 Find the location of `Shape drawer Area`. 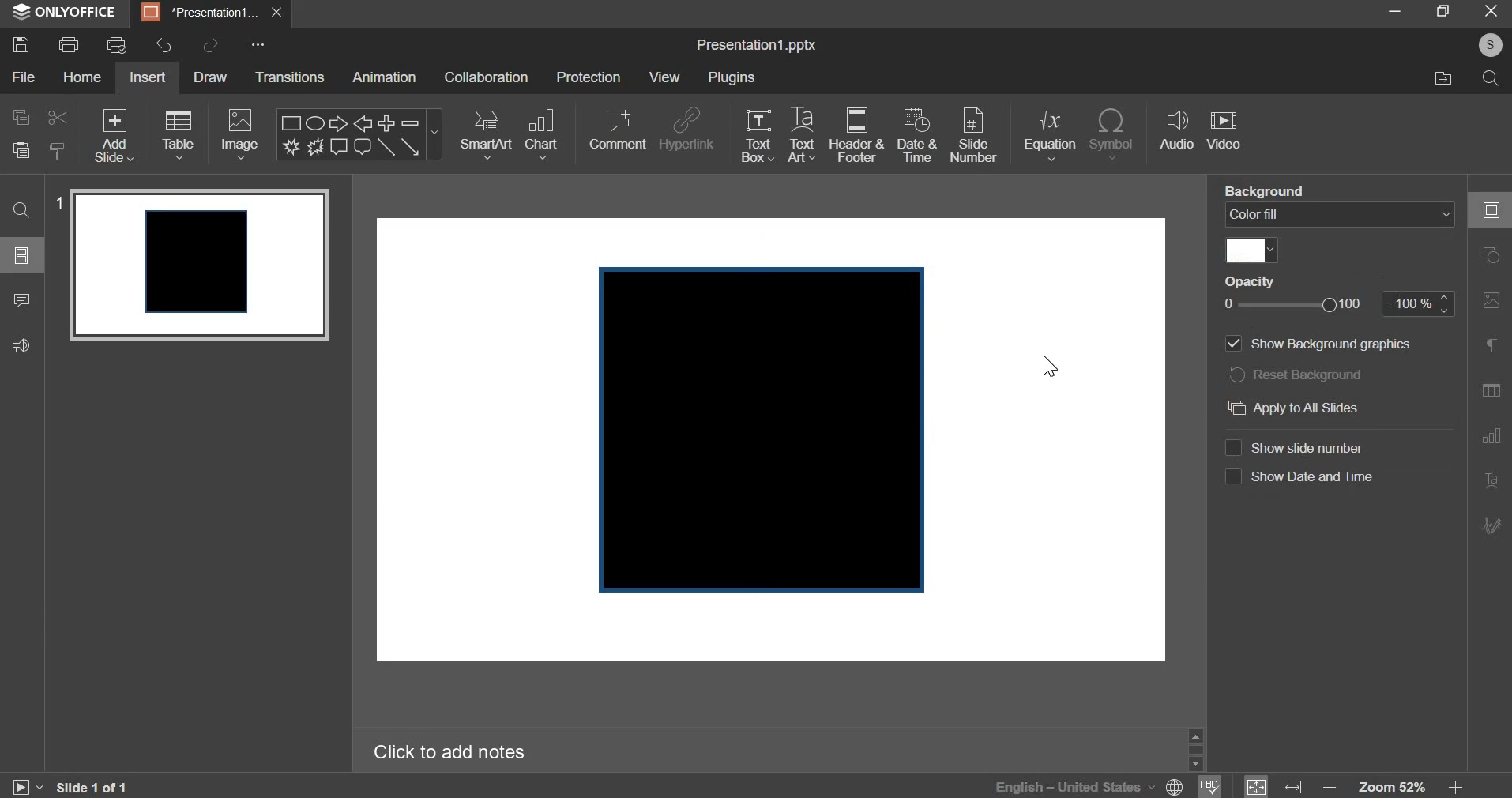

Shape drawer Area is located at coordinates (765, 429).